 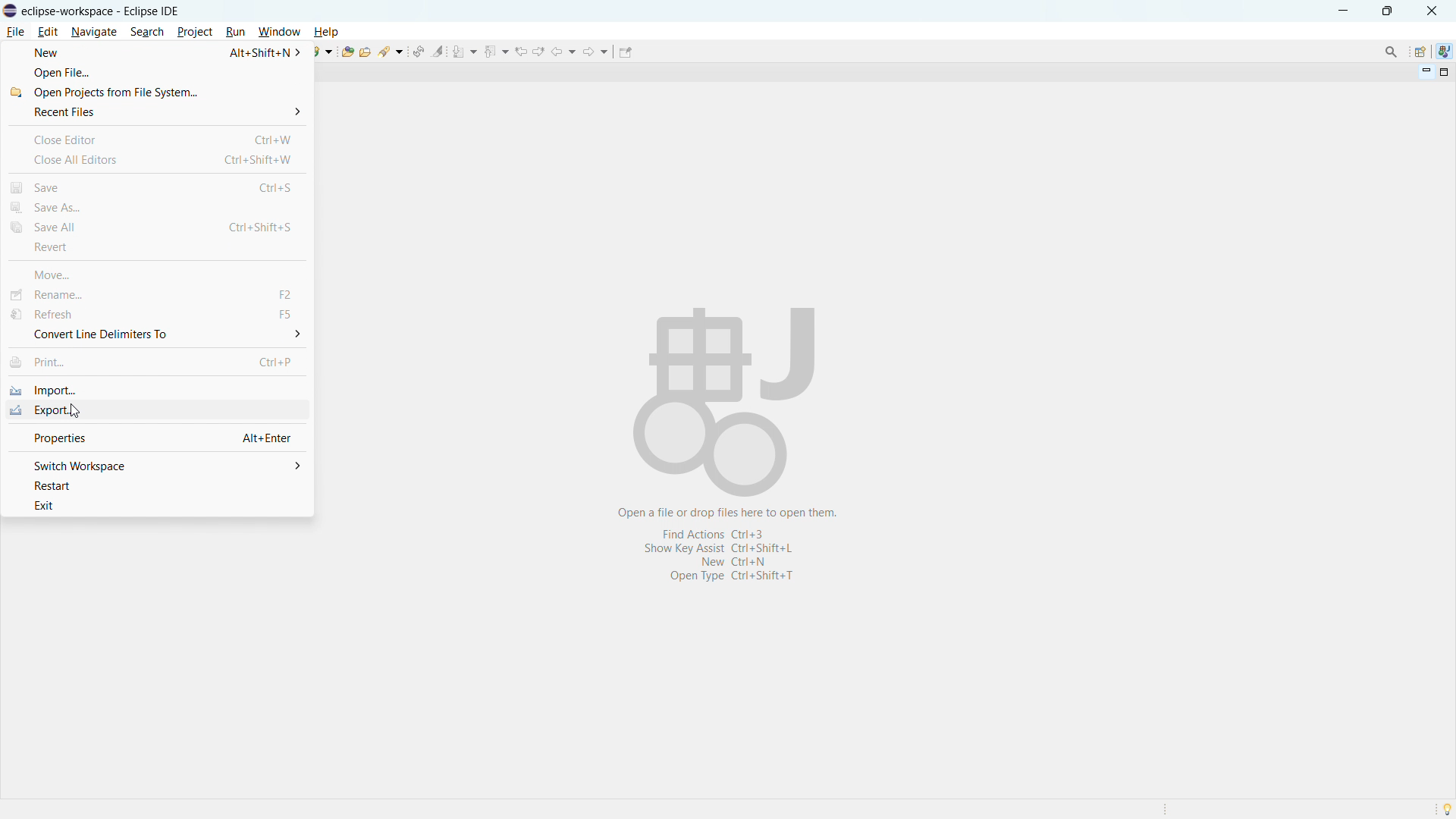 What do you see at coordinates (564, 52) in the screenshot?
I see `back` at bounding box center [564, 52].